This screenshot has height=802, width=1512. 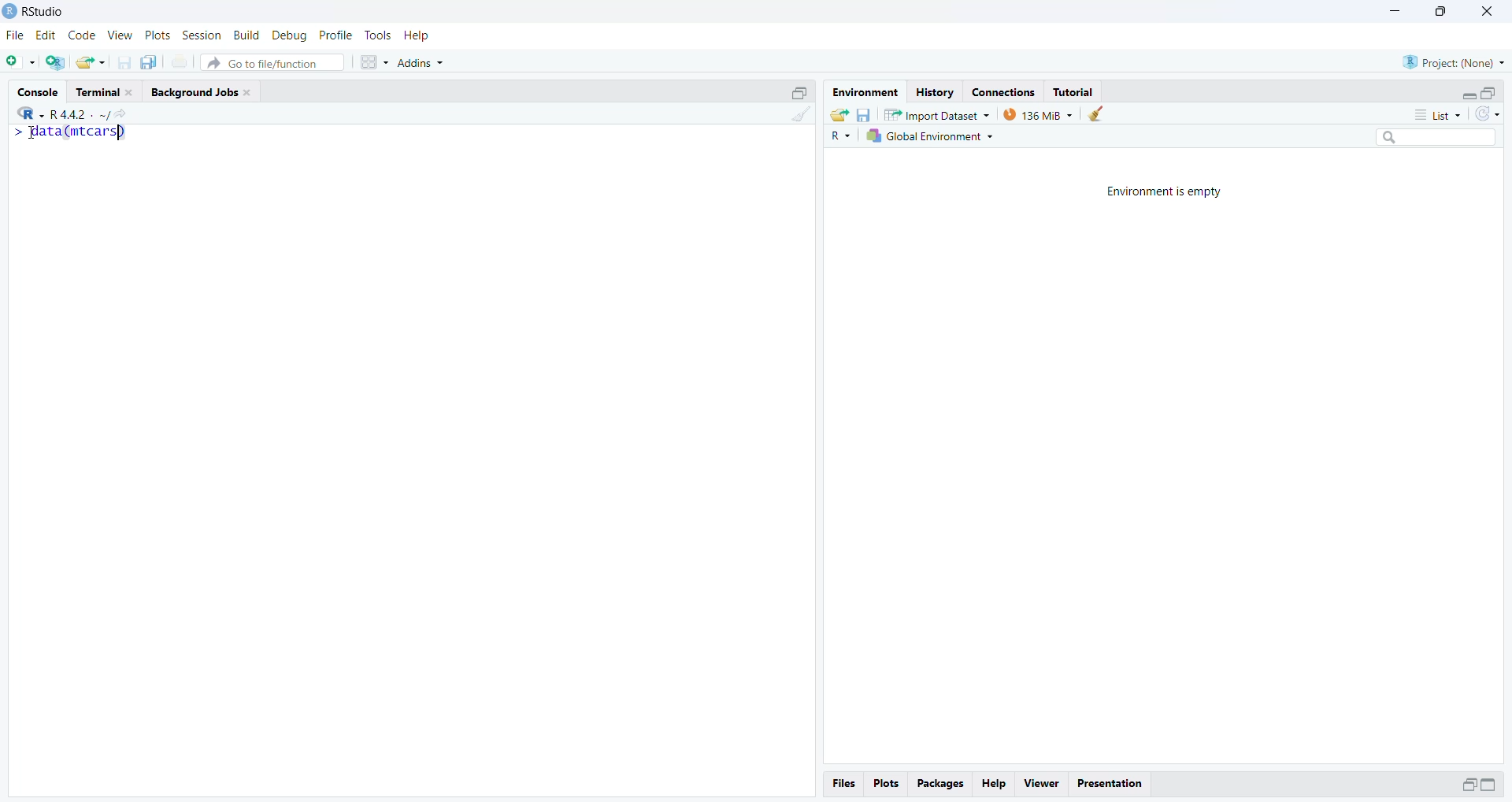 I want to click on File, so click(x=17, y=35).